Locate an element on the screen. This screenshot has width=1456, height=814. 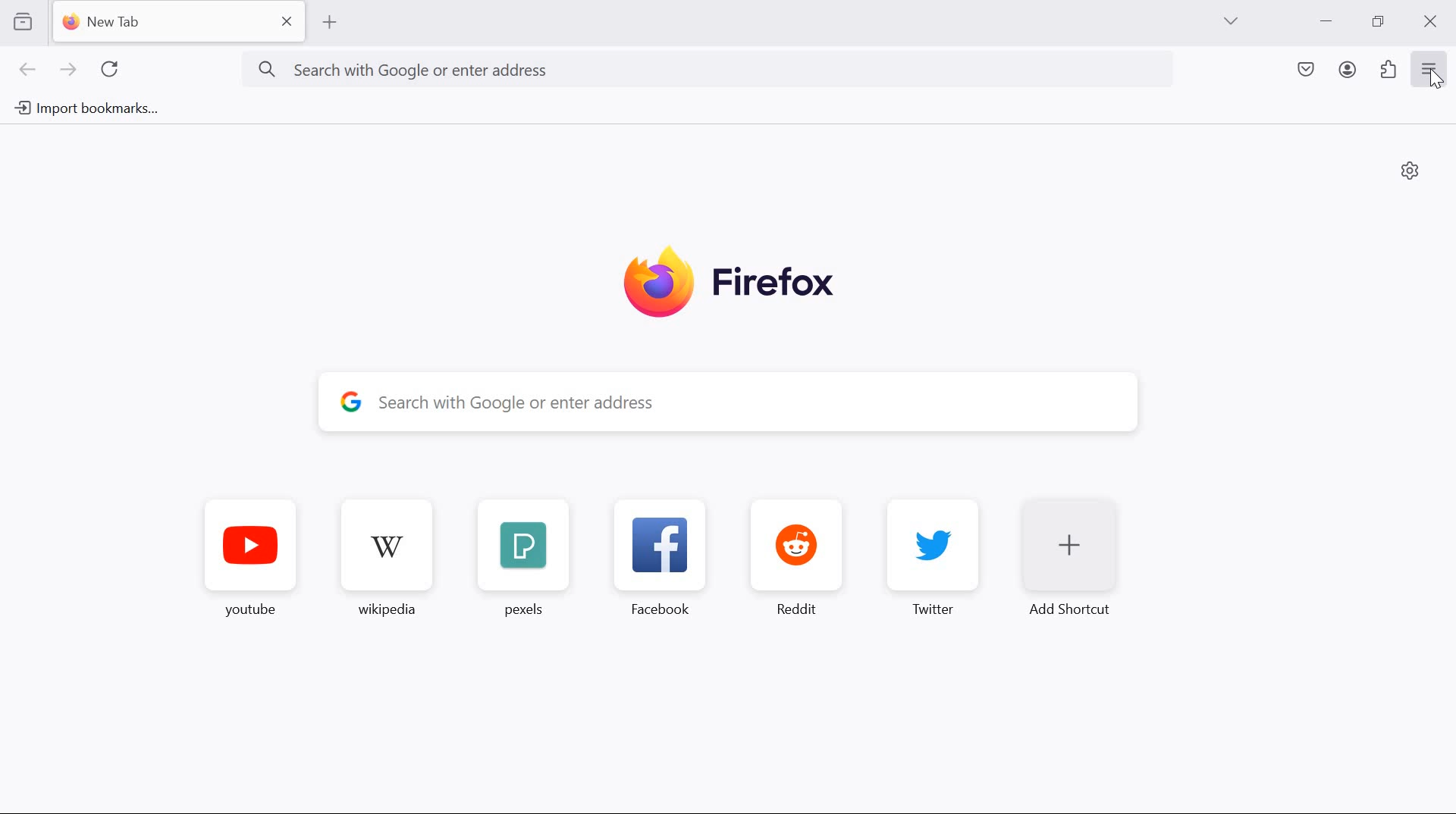
Search with Google or enter address is located at coordinates (705, 67).